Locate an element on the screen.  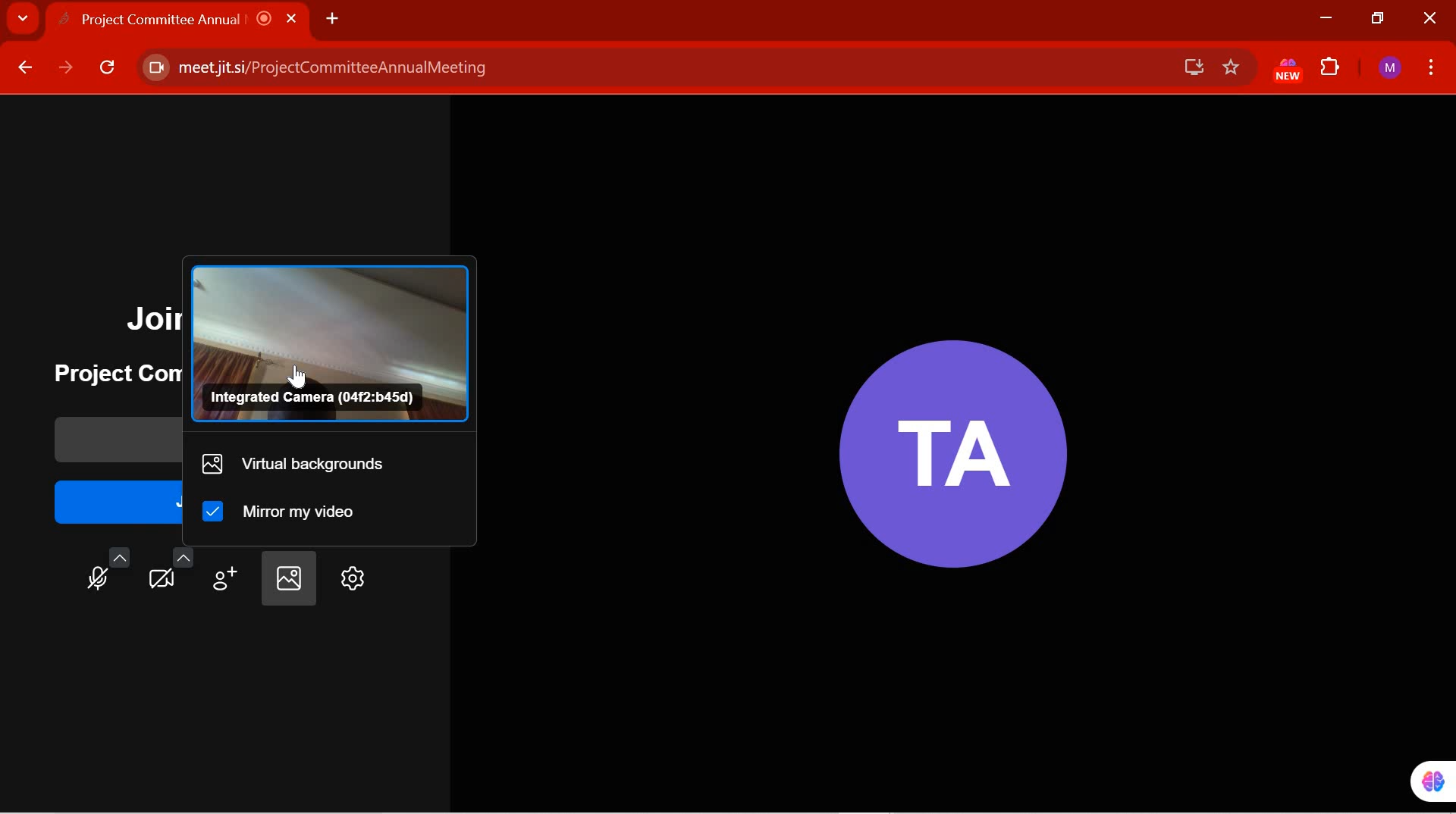
settings is located at coordinates (350, 579).